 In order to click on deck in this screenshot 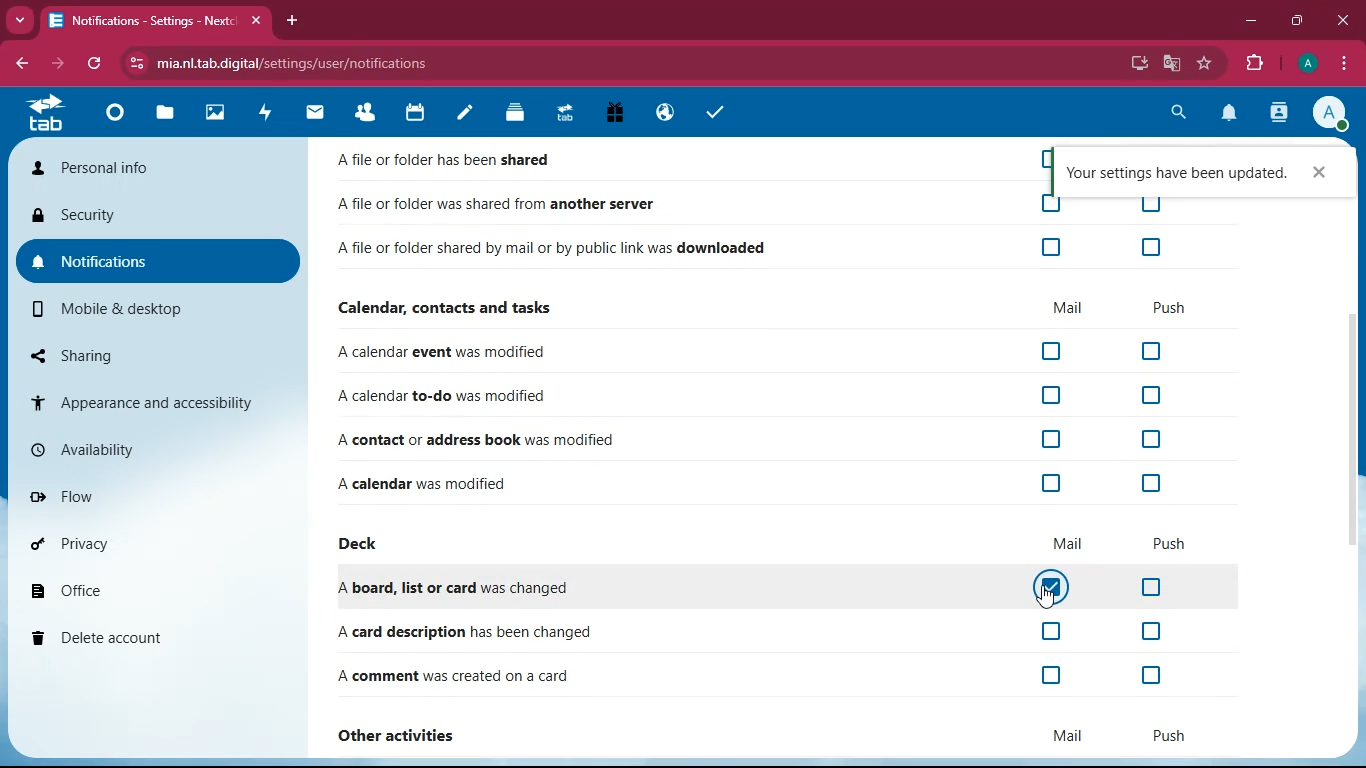, I will do `click(366, 540)`.